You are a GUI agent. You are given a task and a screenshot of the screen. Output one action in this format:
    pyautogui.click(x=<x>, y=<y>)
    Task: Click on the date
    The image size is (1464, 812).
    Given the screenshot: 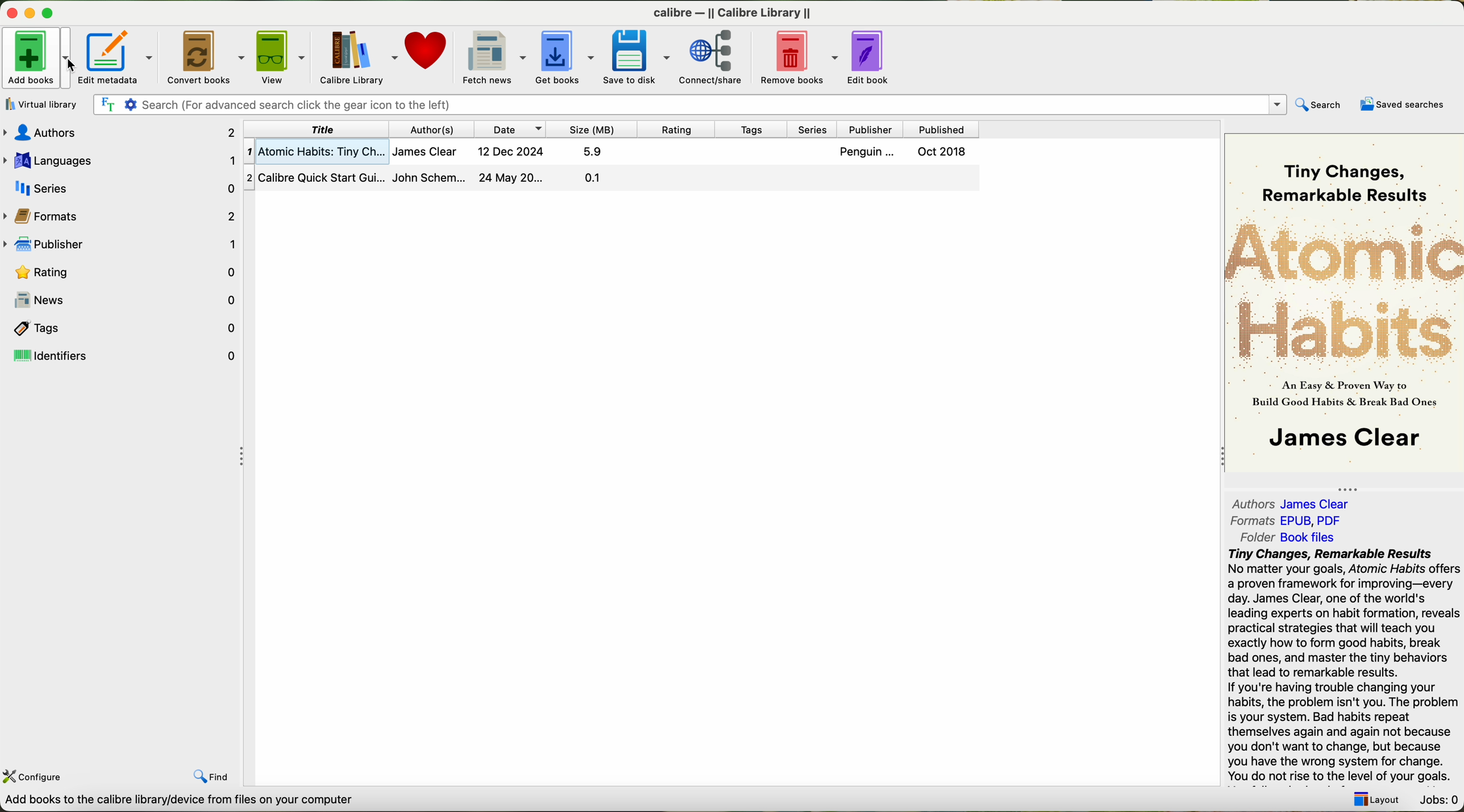 What is the action you would take?
    pyautogui.click(x=510, y=129)
    